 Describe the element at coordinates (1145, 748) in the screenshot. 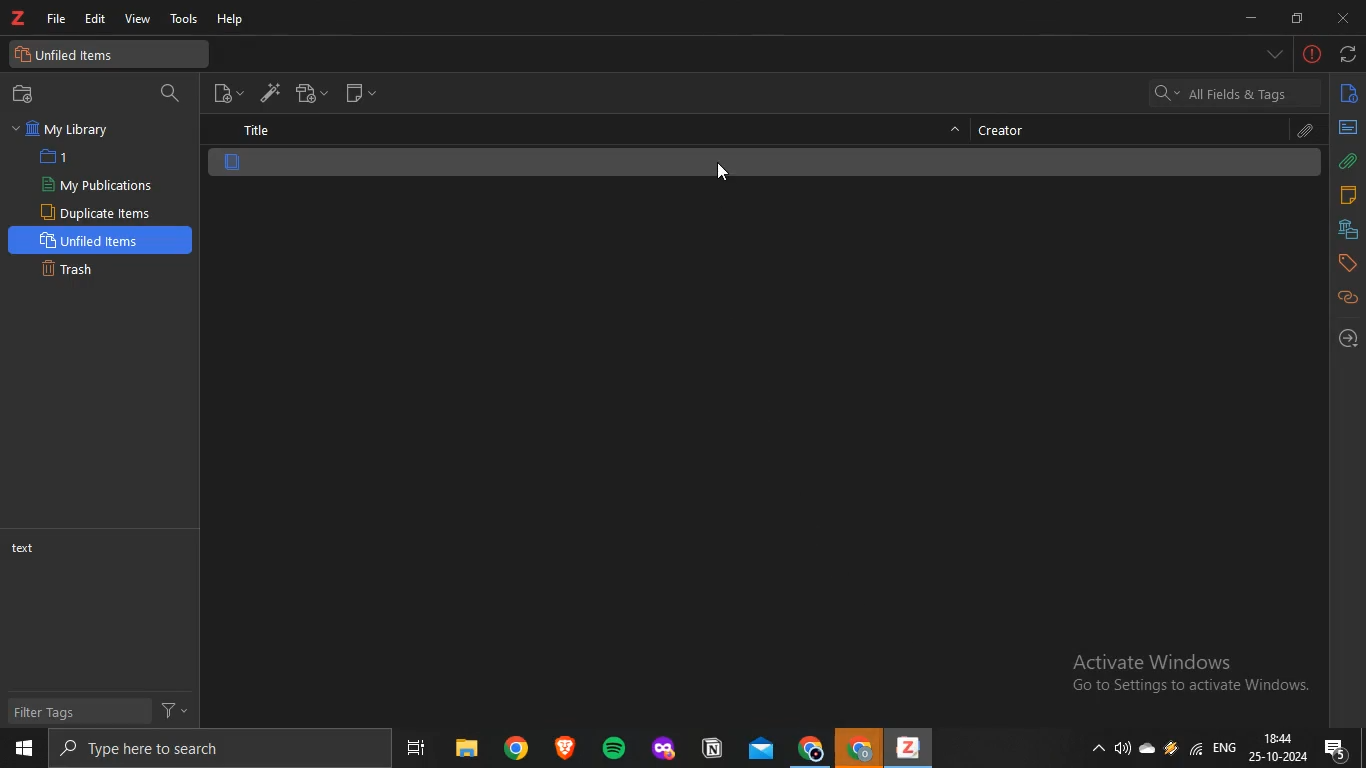

I see `onedrive` at that location.